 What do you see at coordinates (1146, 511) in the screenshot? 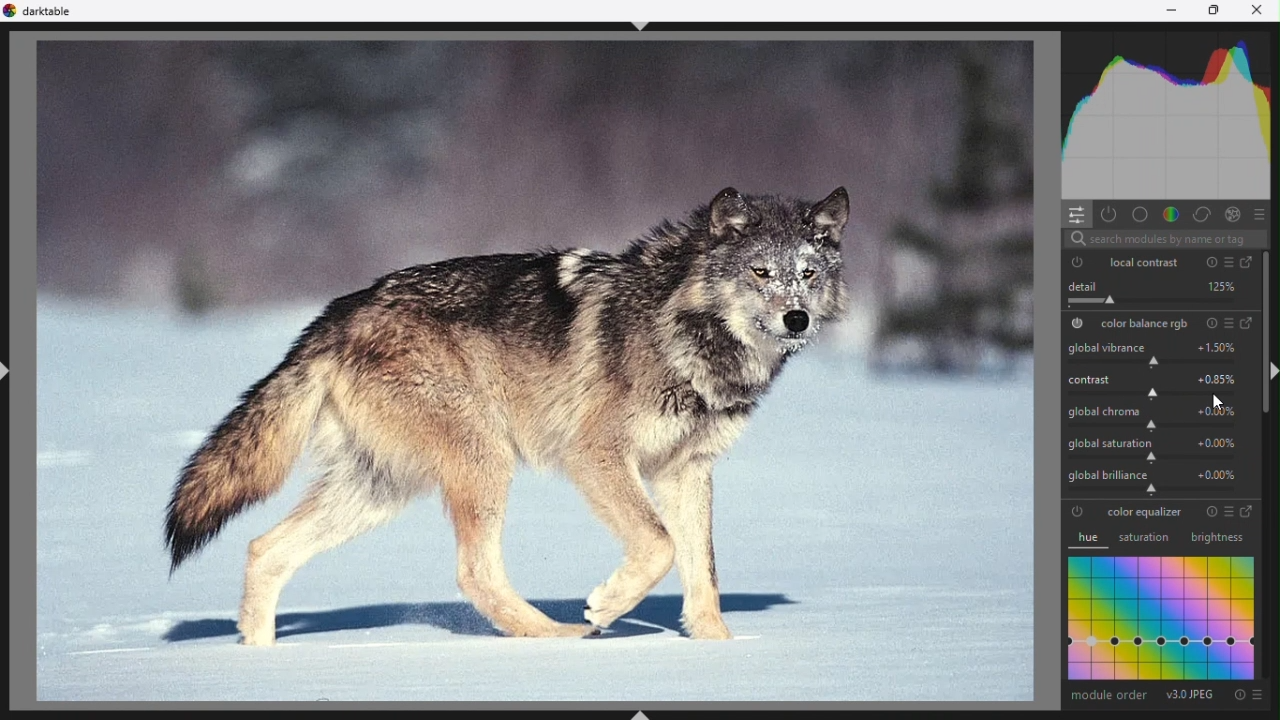
I see `color equalizer` at bounding box center [1146, 511].